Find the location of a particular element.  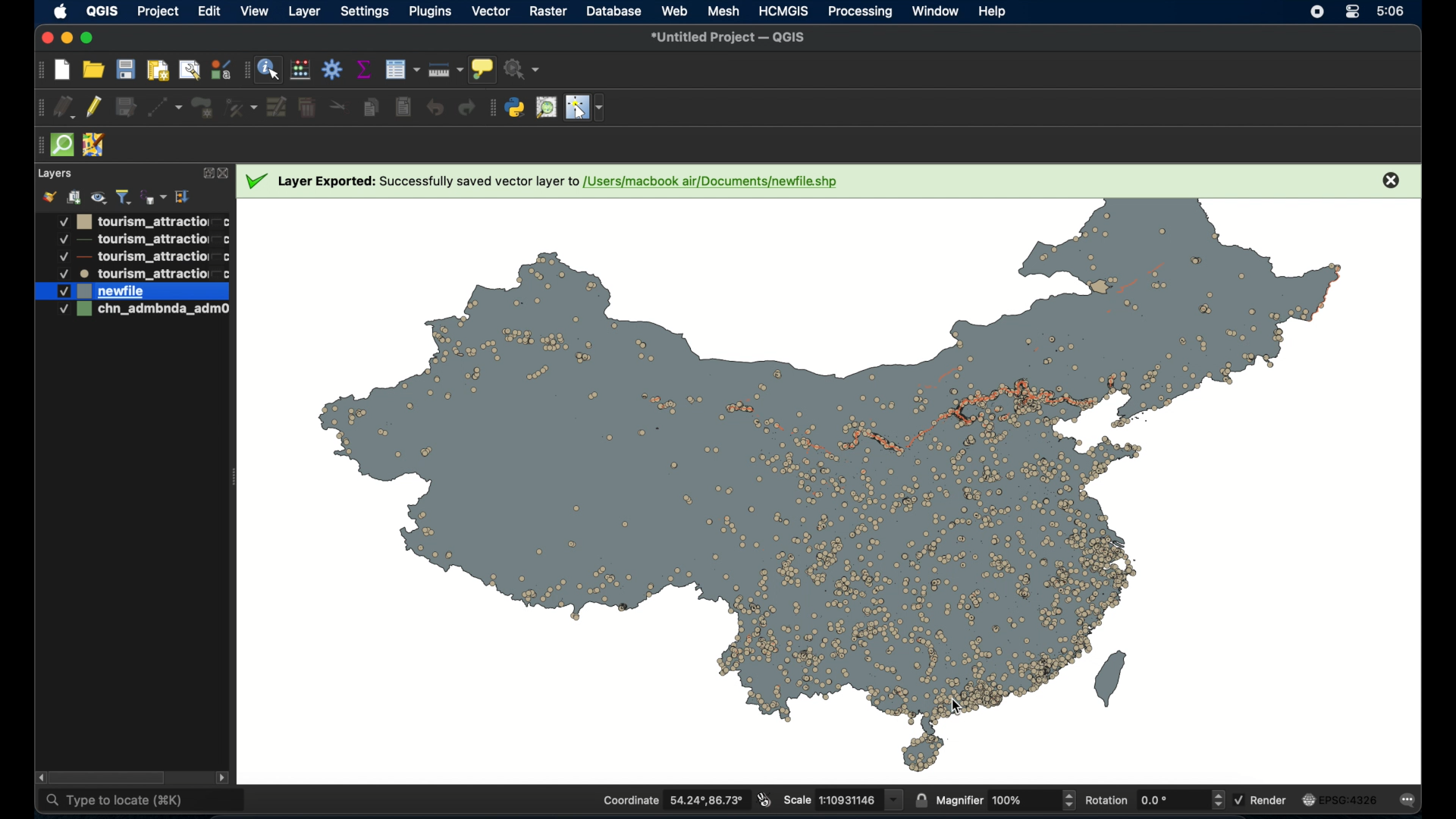

layer1 is located at coordinates (133, 221).